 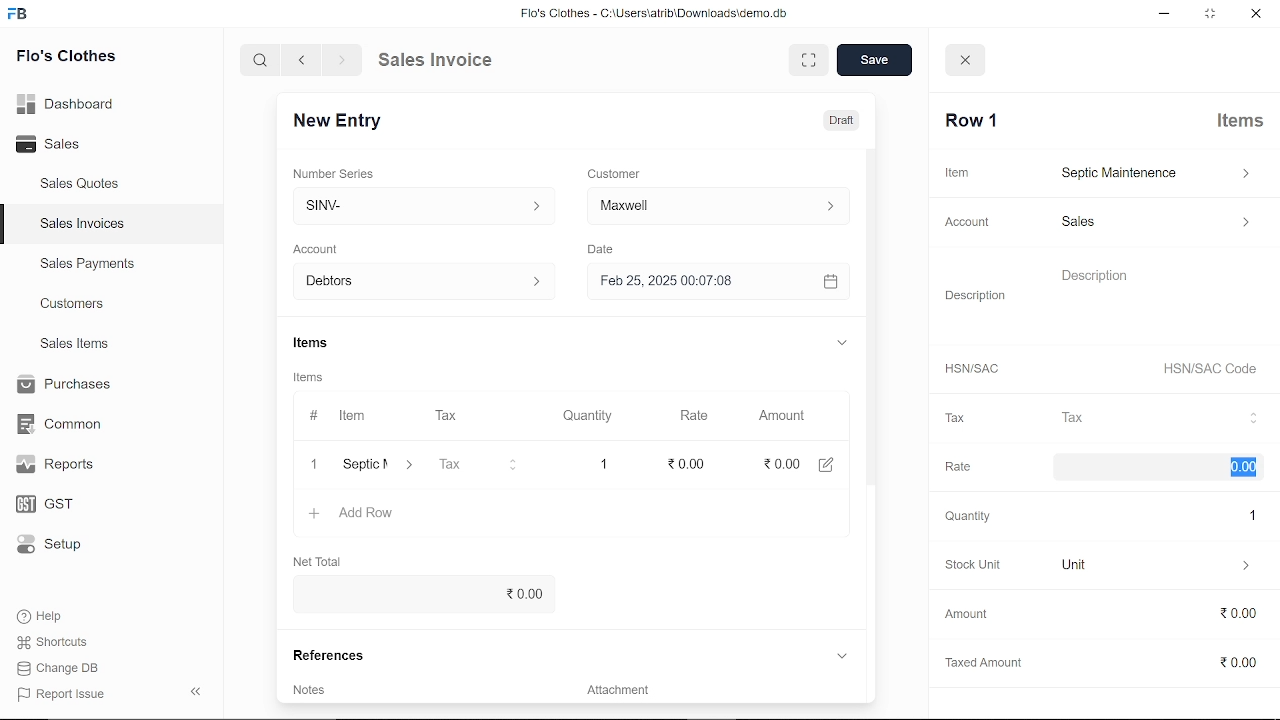 I want to click on Insert Customer, so click(x=715, y=205).